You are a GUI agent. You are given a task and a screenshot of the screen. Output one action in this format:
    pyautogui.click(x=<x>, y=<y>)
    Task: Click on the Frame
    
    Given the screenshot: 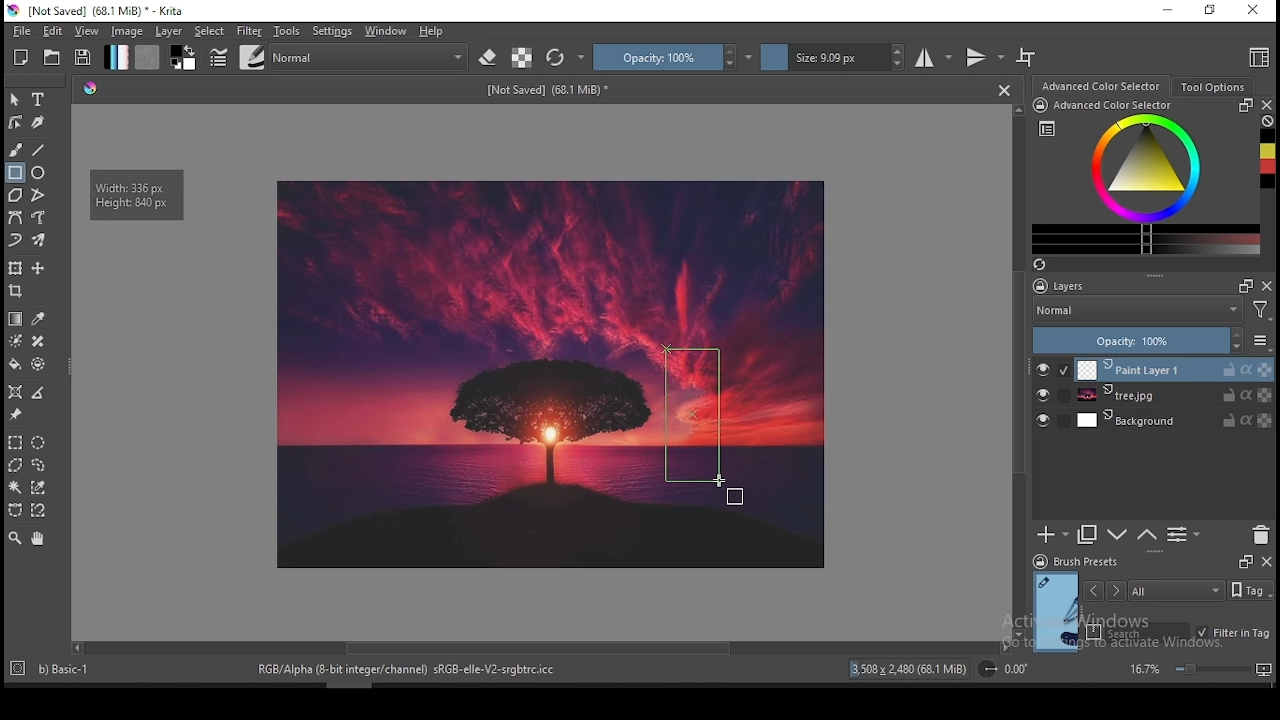 What is the action you would take?
    pyautogui.click(x=1243, y=562)
    